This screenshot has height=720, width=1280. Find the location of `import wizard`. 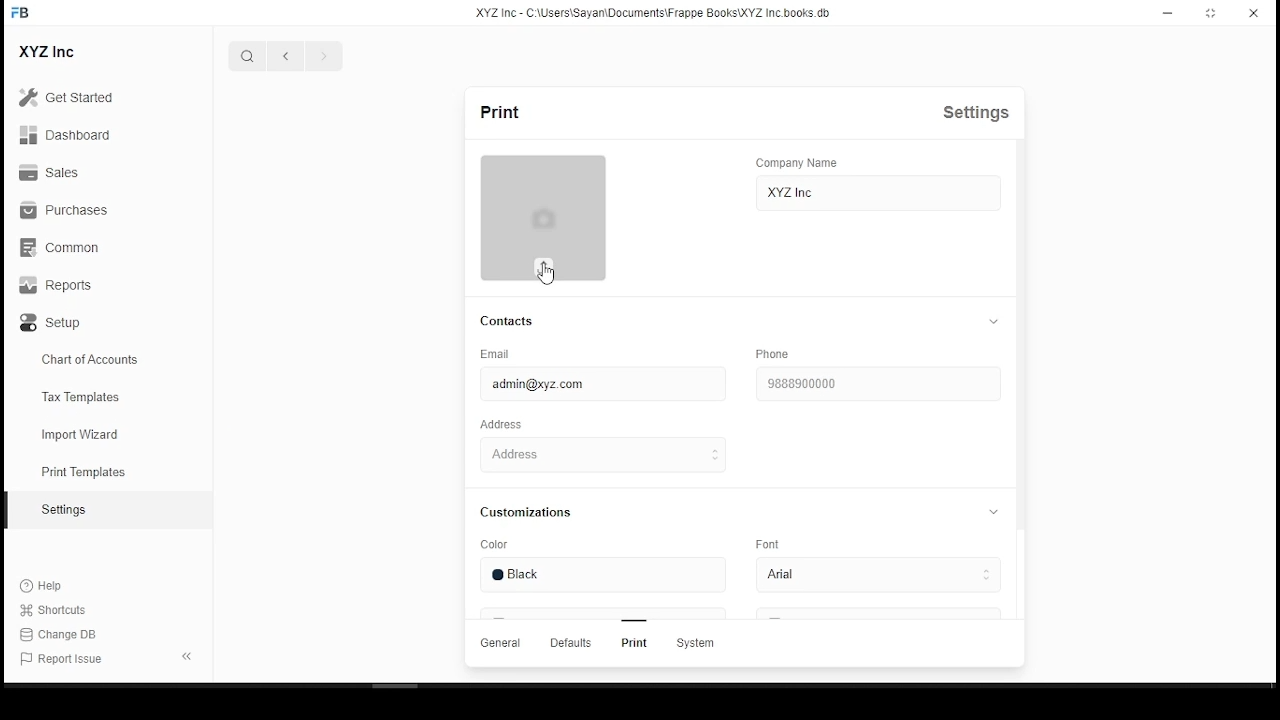

import wizard is located at coordinates (81, 436).